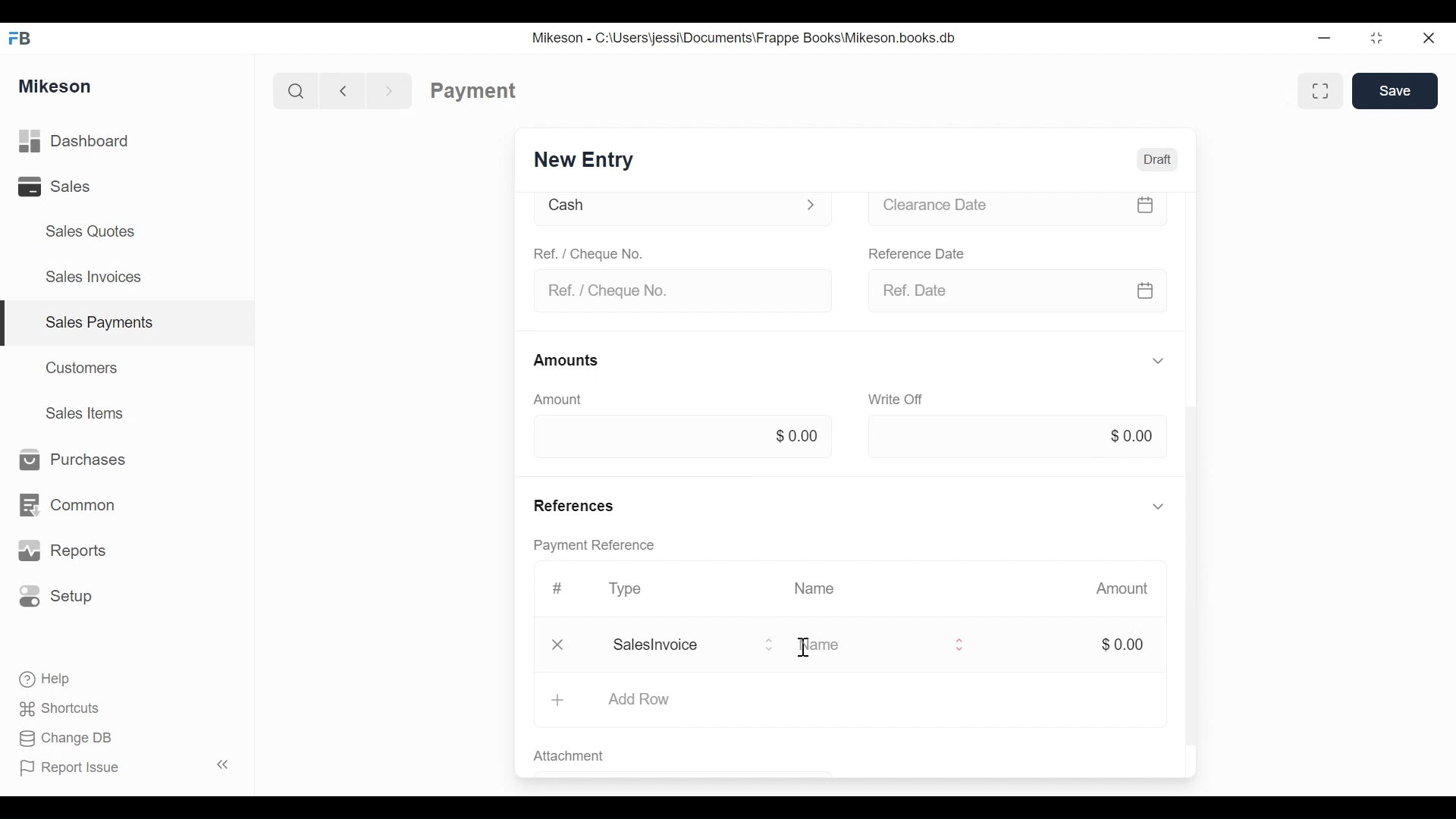 The image size is (1456, 819). I want to click on Setup, so click(61, 597).